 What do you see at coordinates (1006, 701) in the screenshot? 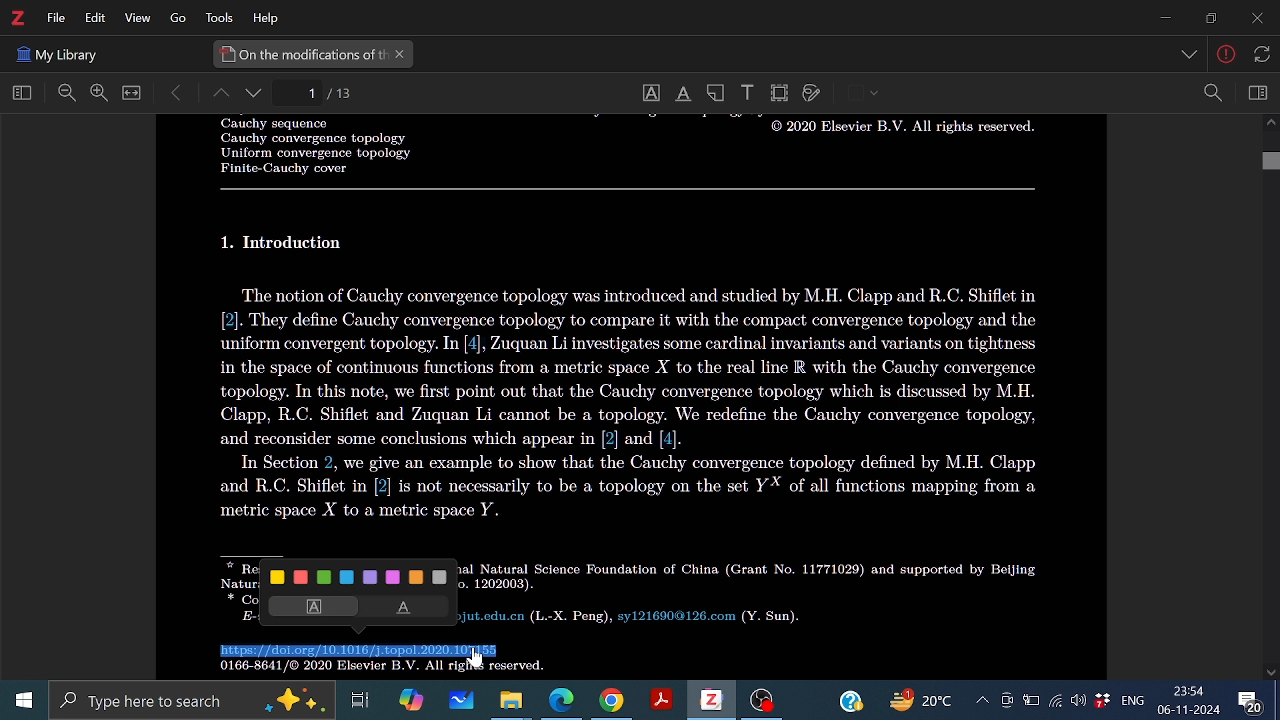
I see `Meet` at bounding box center [1006, 701].